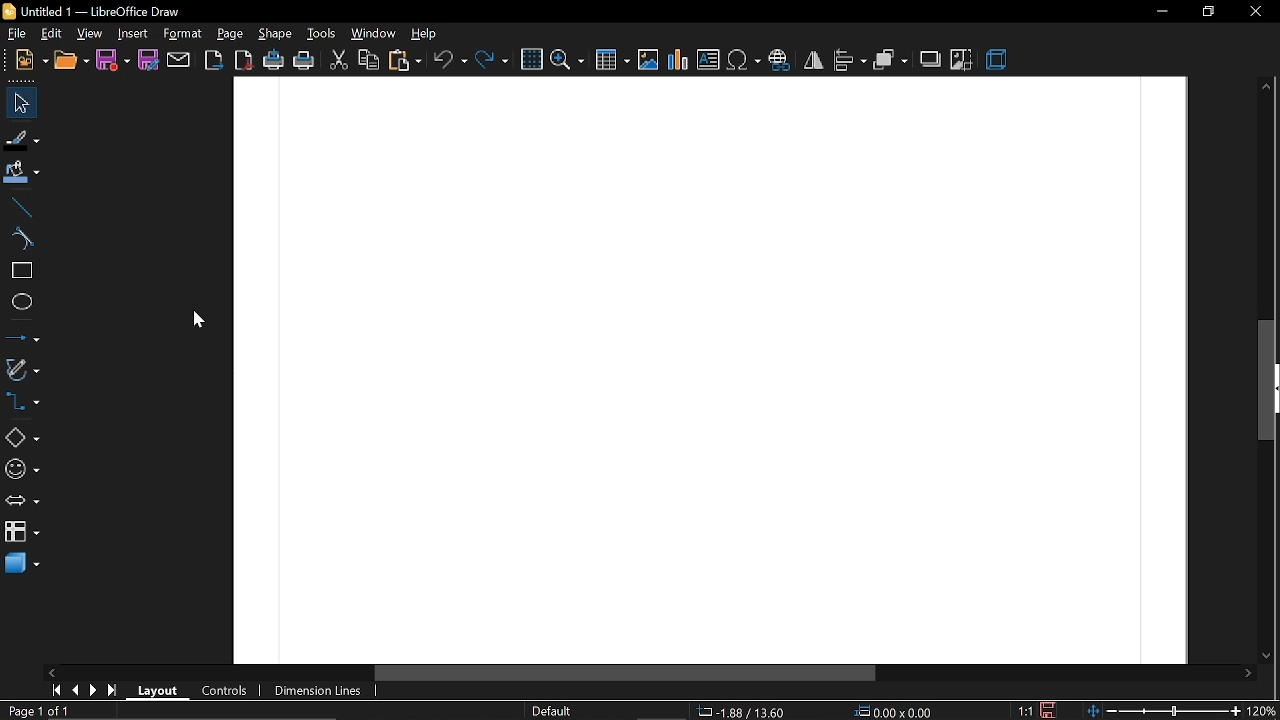  What do you see at coordinates (18, 271) in the screenshot?
I see `rectangle` at bounding box center [18, 271].